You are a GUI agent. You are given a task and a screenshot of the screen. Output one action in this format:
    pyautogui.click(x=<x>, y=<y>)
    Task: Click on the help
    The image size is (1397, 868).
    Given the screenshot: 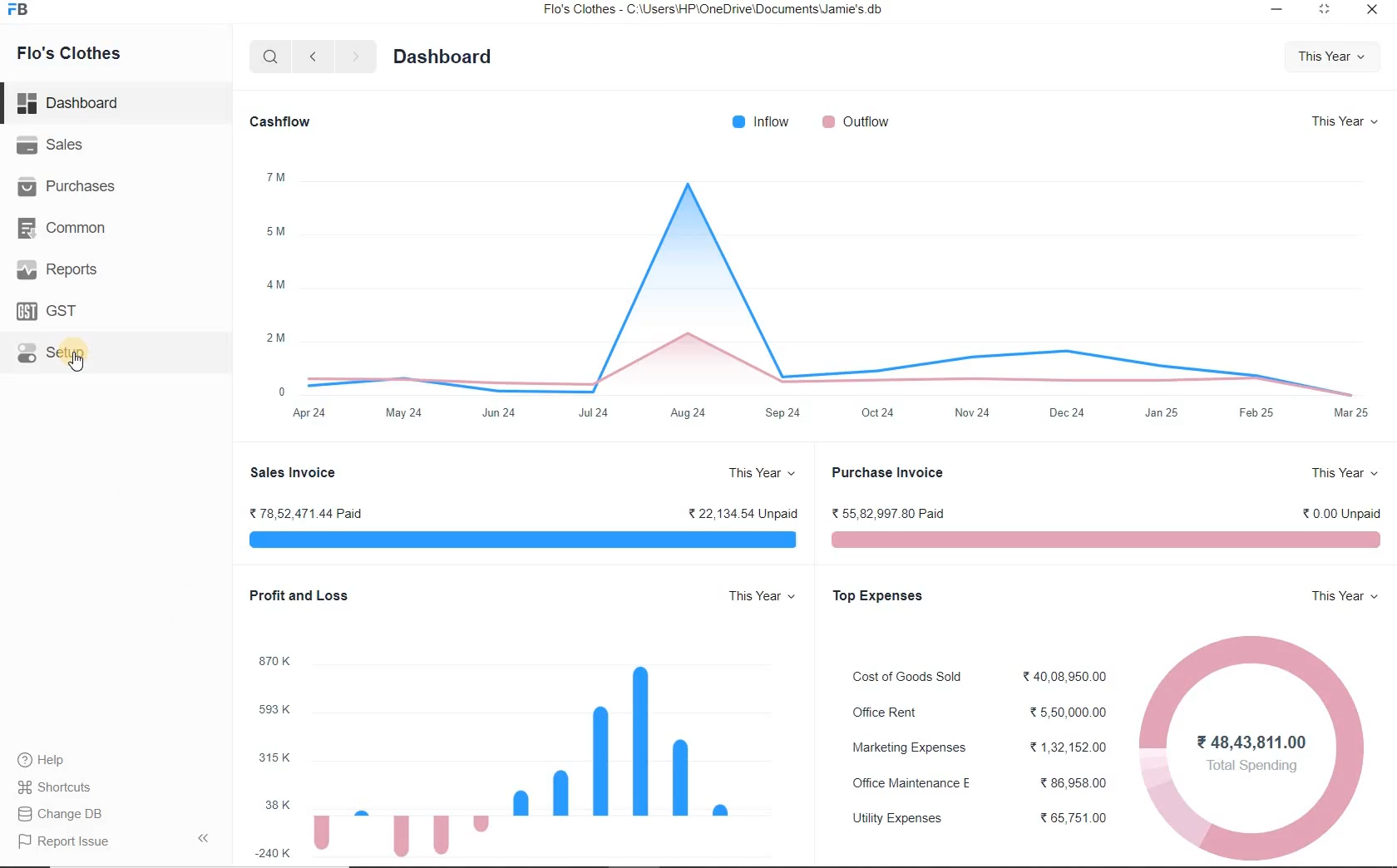 What is the action you would take?
    pyautogui.click(x=42, y=760)
    